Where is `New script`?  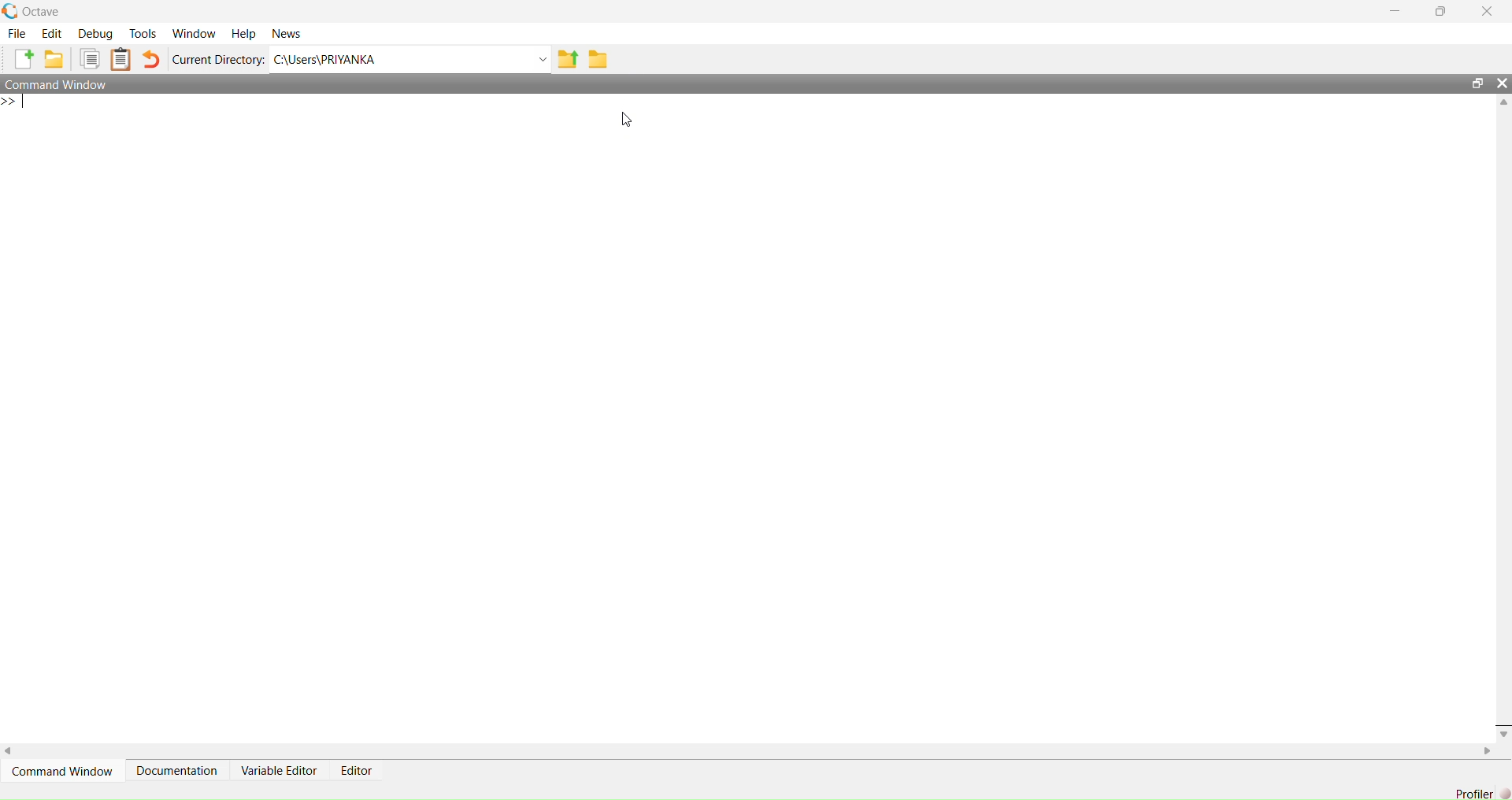
New script is located at coordinates (24, 59).